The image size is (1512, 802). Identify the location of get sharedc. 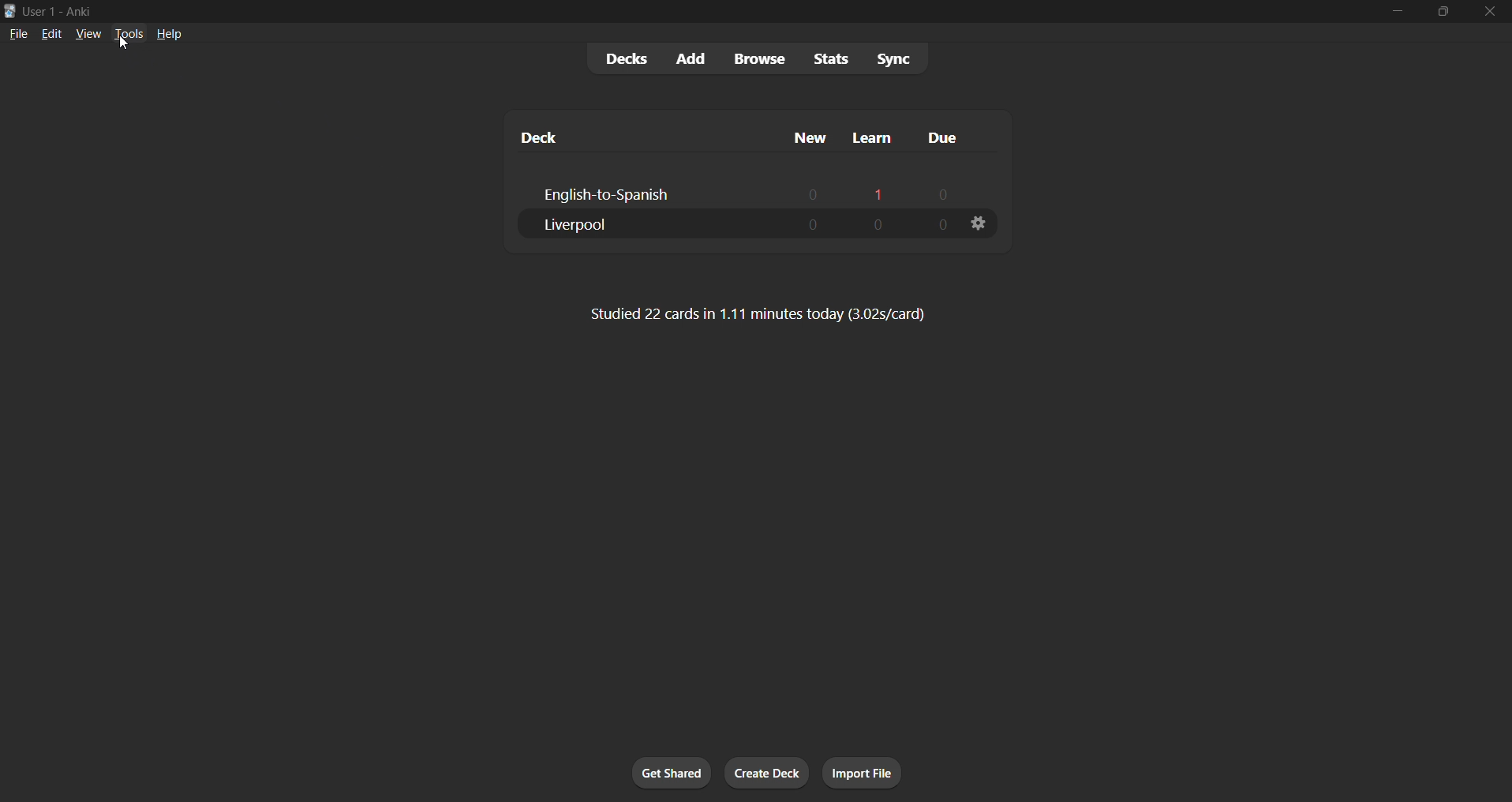
(669, 770).